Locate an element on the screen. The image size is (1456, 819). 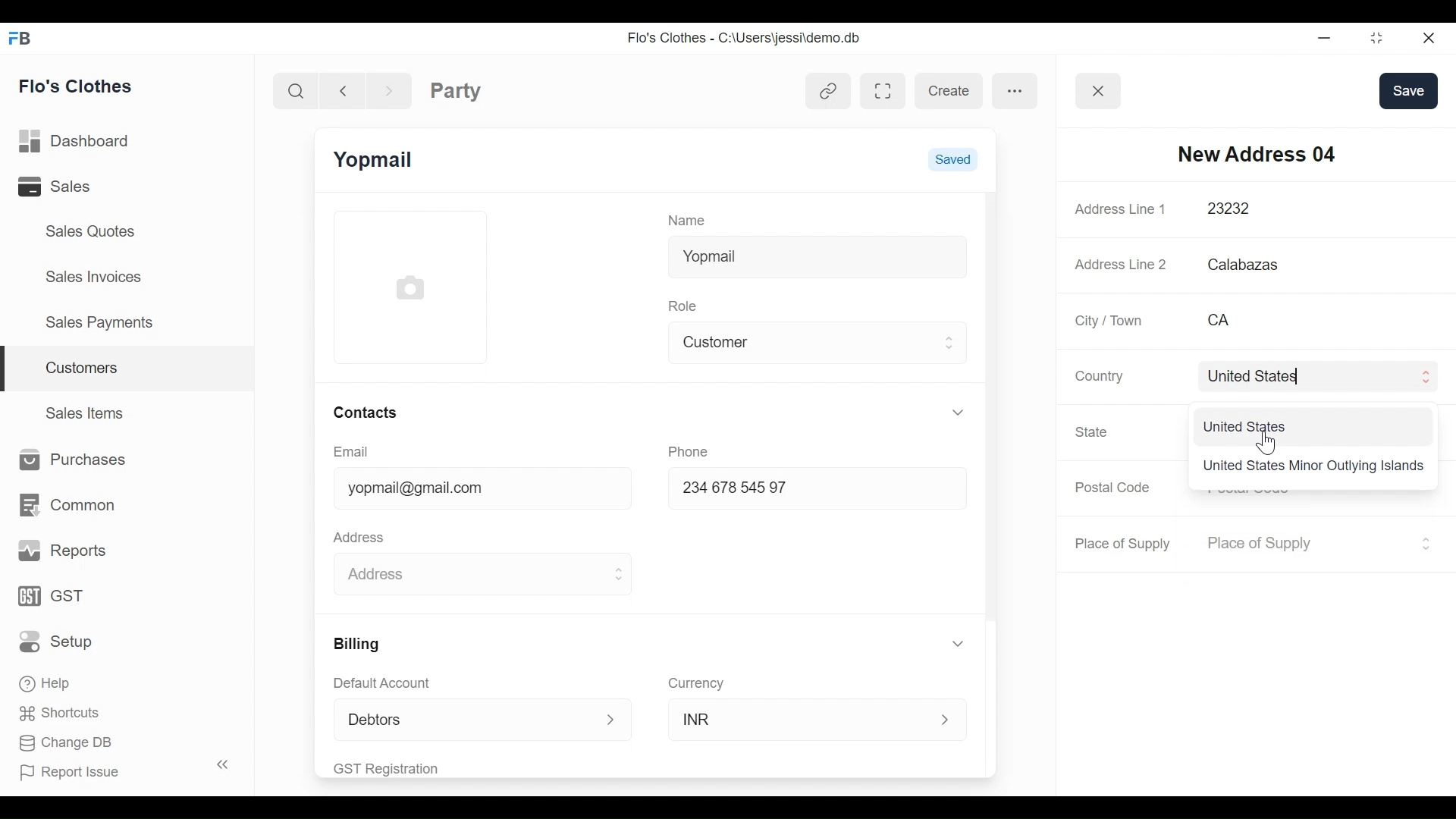
View linked entries is located at coordinates (828, 93).